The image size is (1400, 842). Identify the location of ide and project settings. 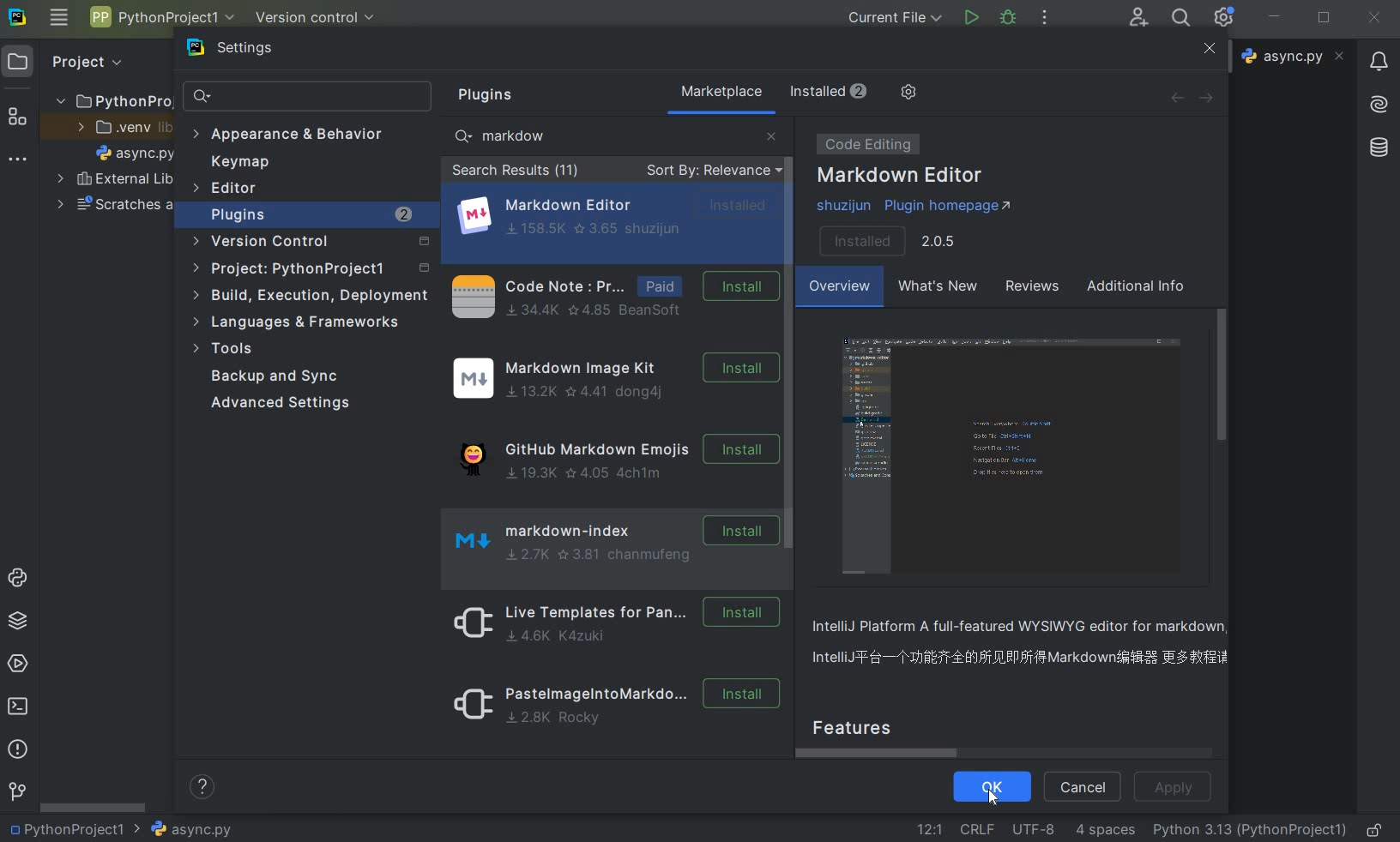
(1224, 18).